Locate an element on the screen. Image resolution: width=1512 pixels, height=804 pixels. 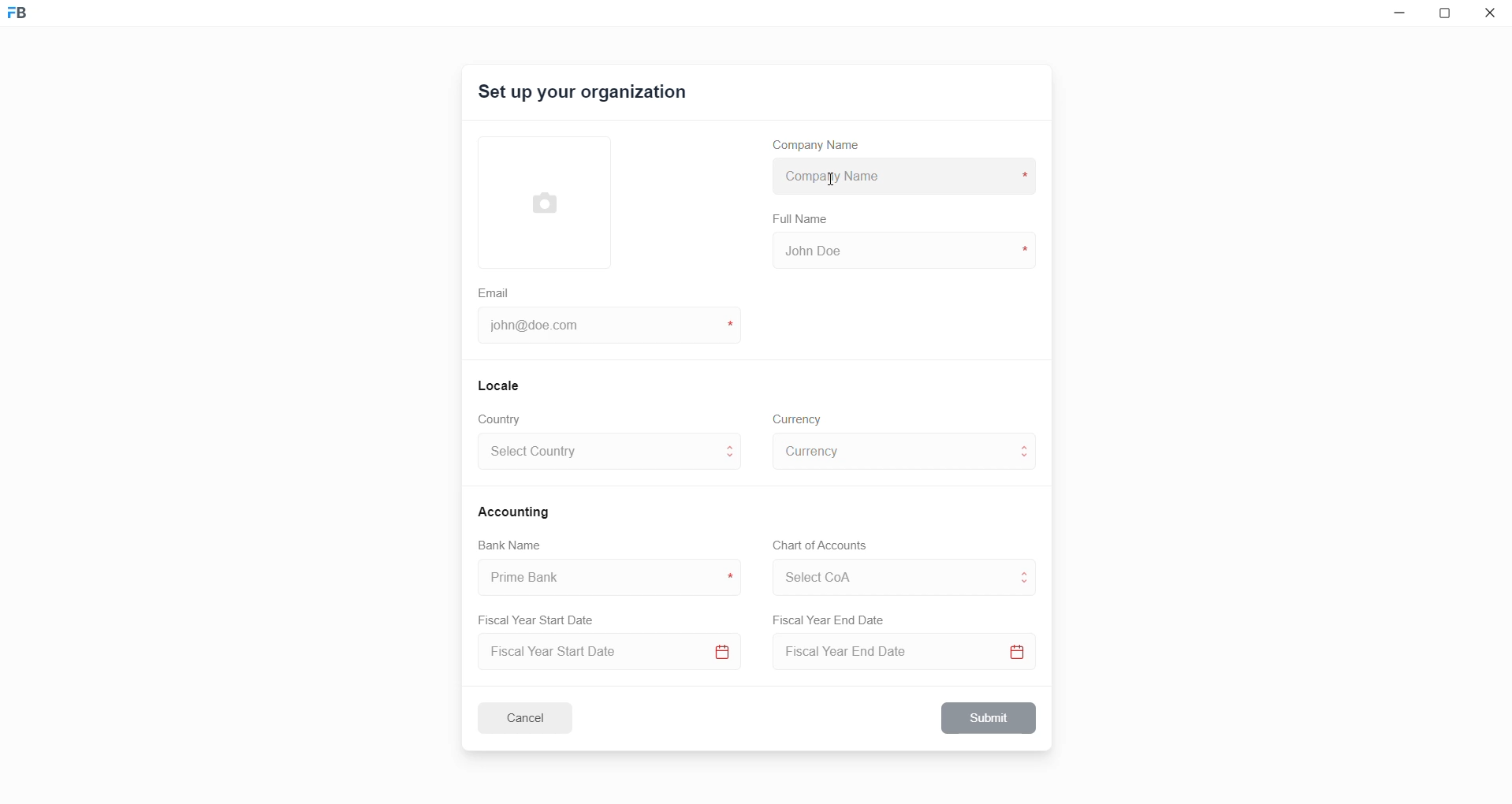
Submit  is located at coordinates (990, 718).